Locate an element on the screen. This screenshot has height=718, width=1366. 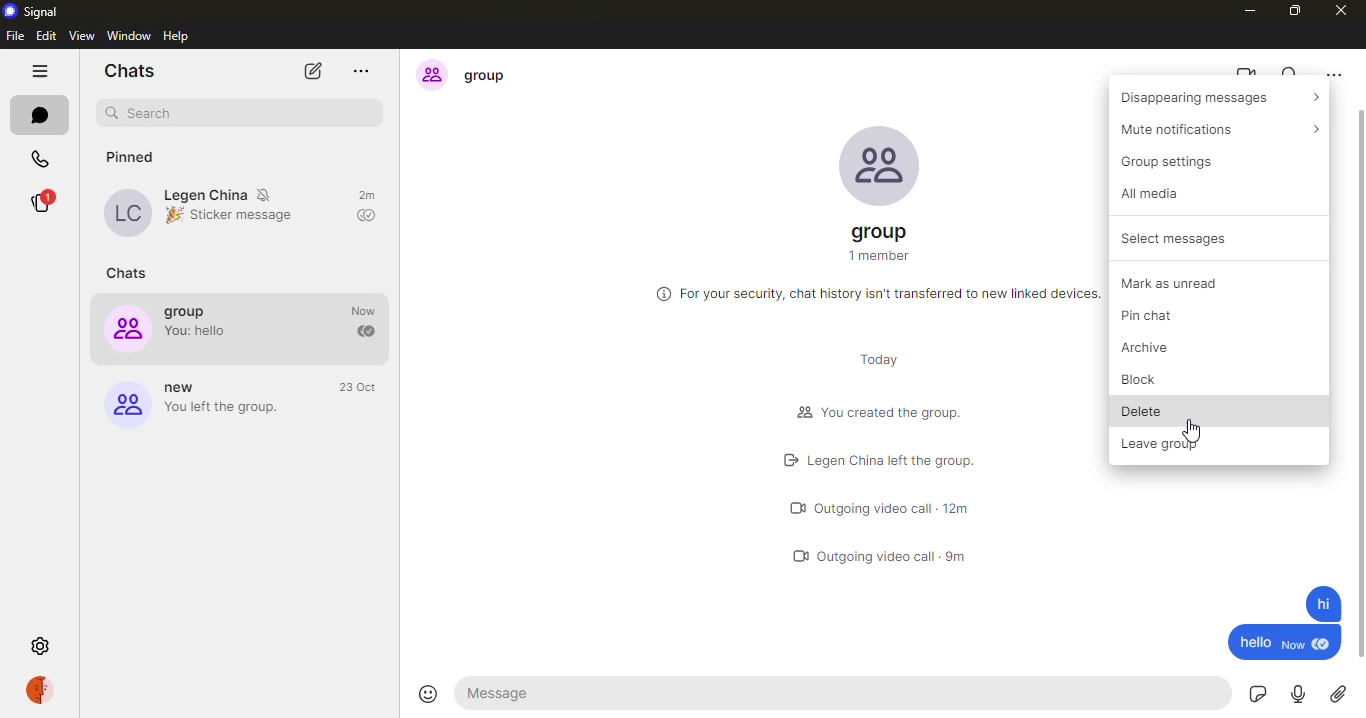
group logo is located at coordinates (799, 413).